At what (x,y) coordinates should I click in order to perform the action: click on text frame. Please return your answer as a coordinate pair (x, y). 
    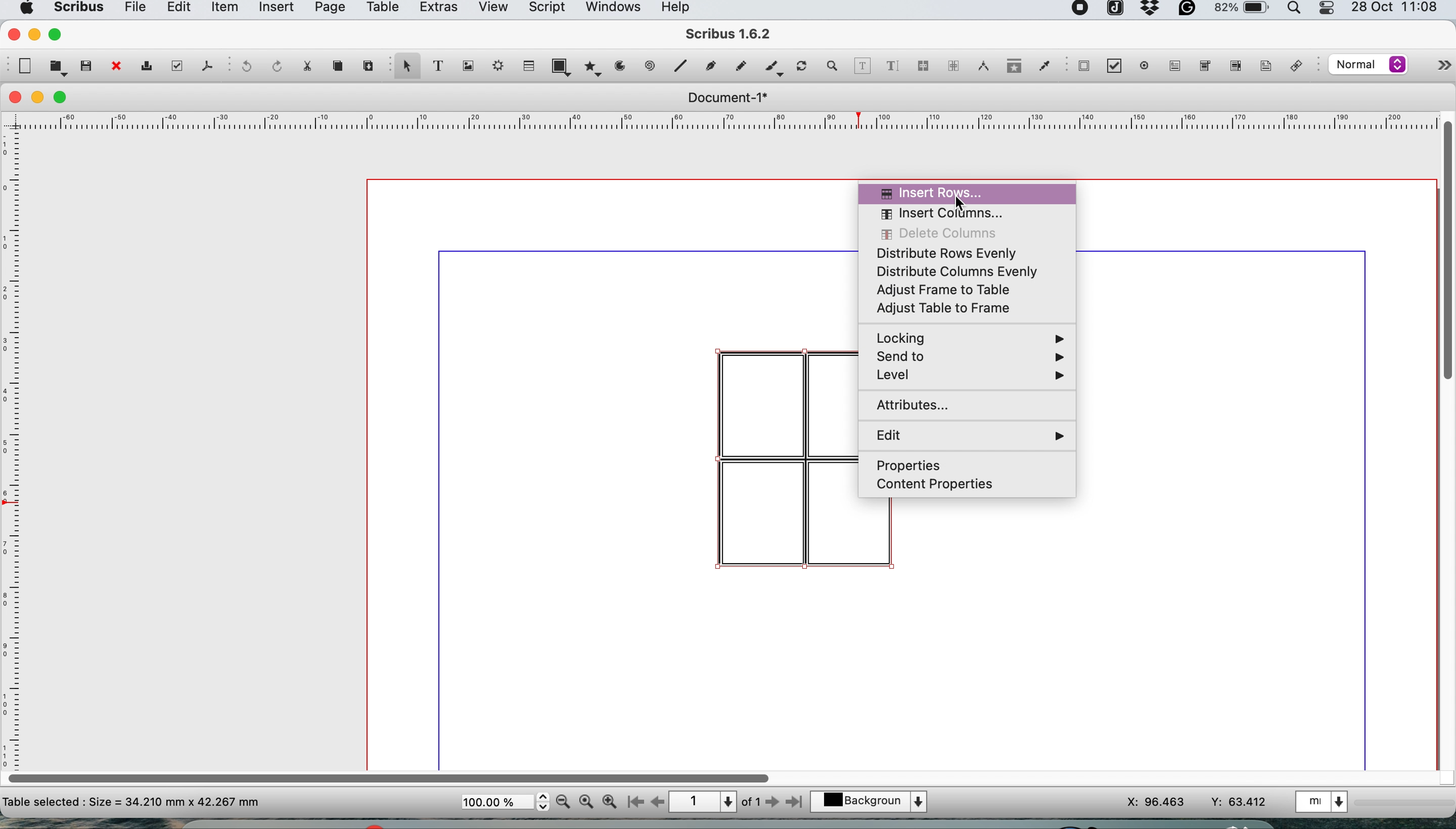
    Looking at the image, I should click on (437, 68).